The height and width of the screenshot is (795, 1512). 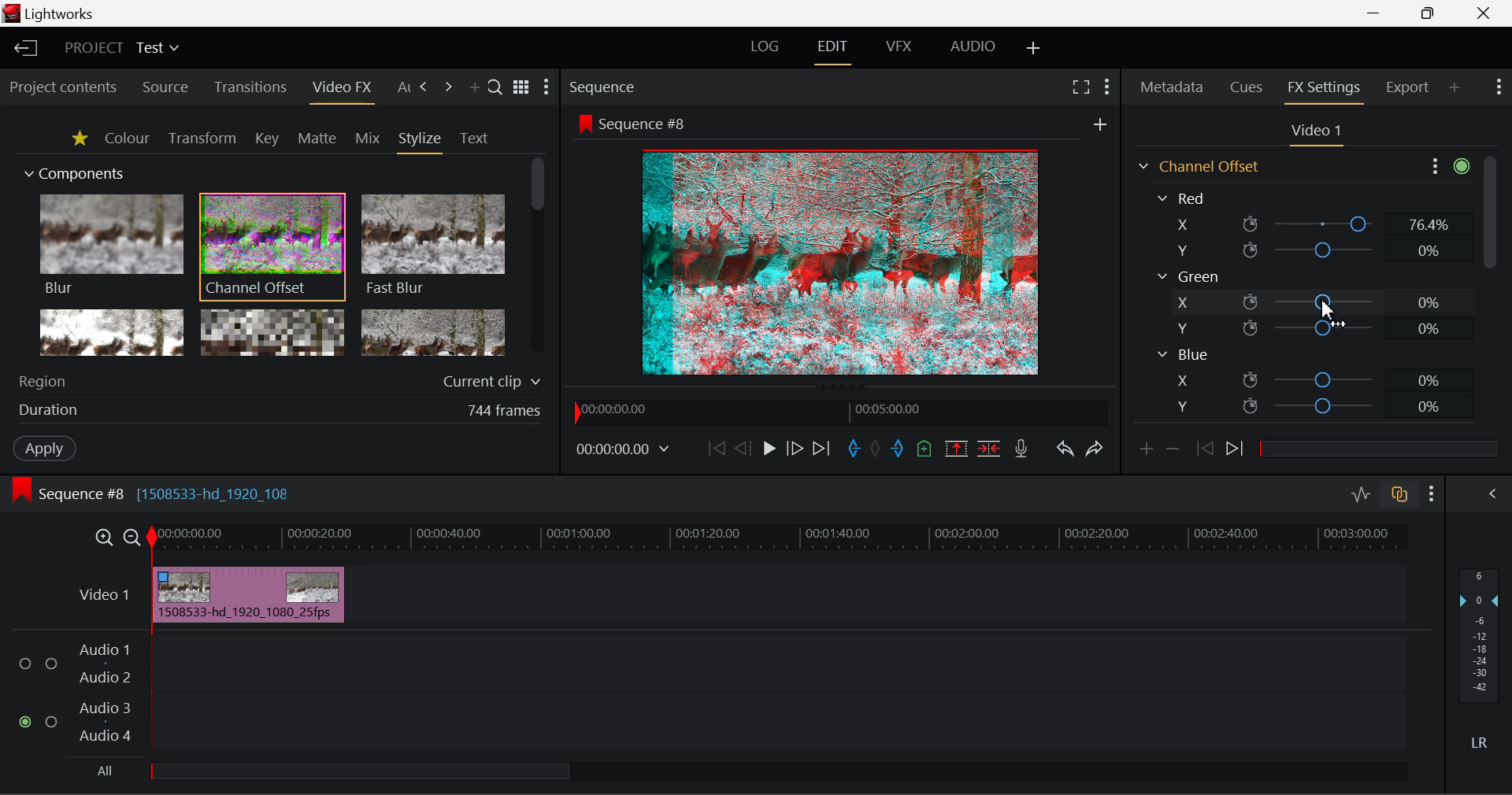 What do you see at coordinates (604, 86) in the screenshot?
I see `Sequence Preview Section` at bounding box center [604, 86].